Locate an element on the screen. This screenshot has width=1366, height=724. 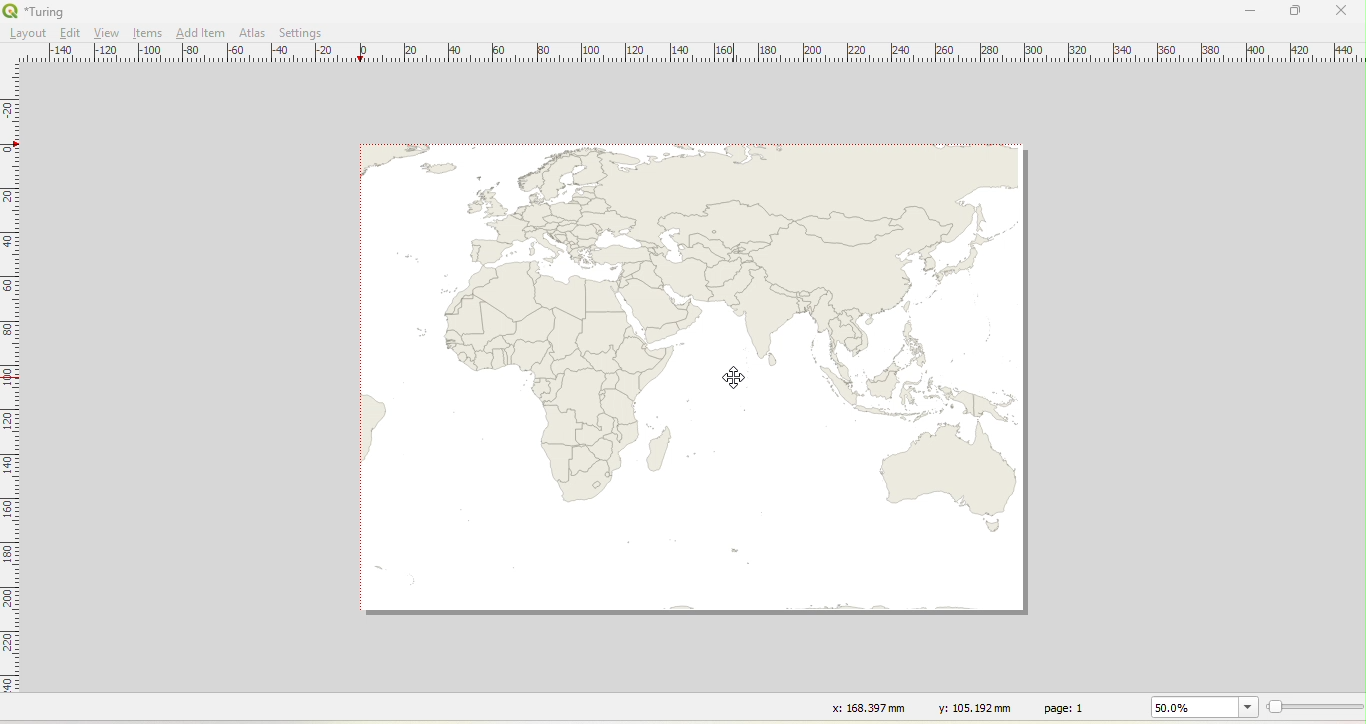
Cursor is located at coordinates (735, 379).